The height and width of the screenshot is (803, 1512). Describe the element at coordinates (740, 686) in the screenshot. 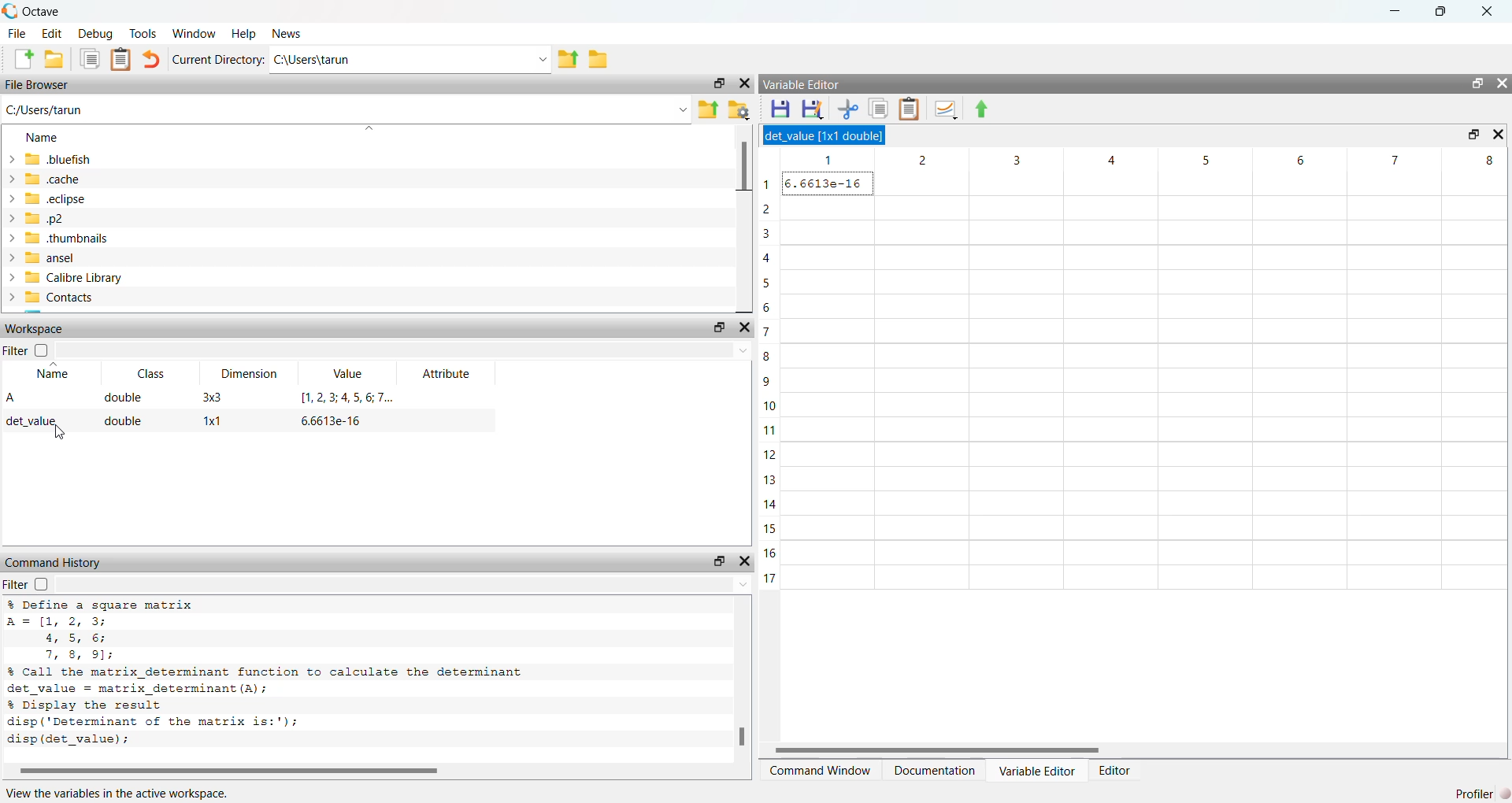

I see `scrollbar ` at that location.